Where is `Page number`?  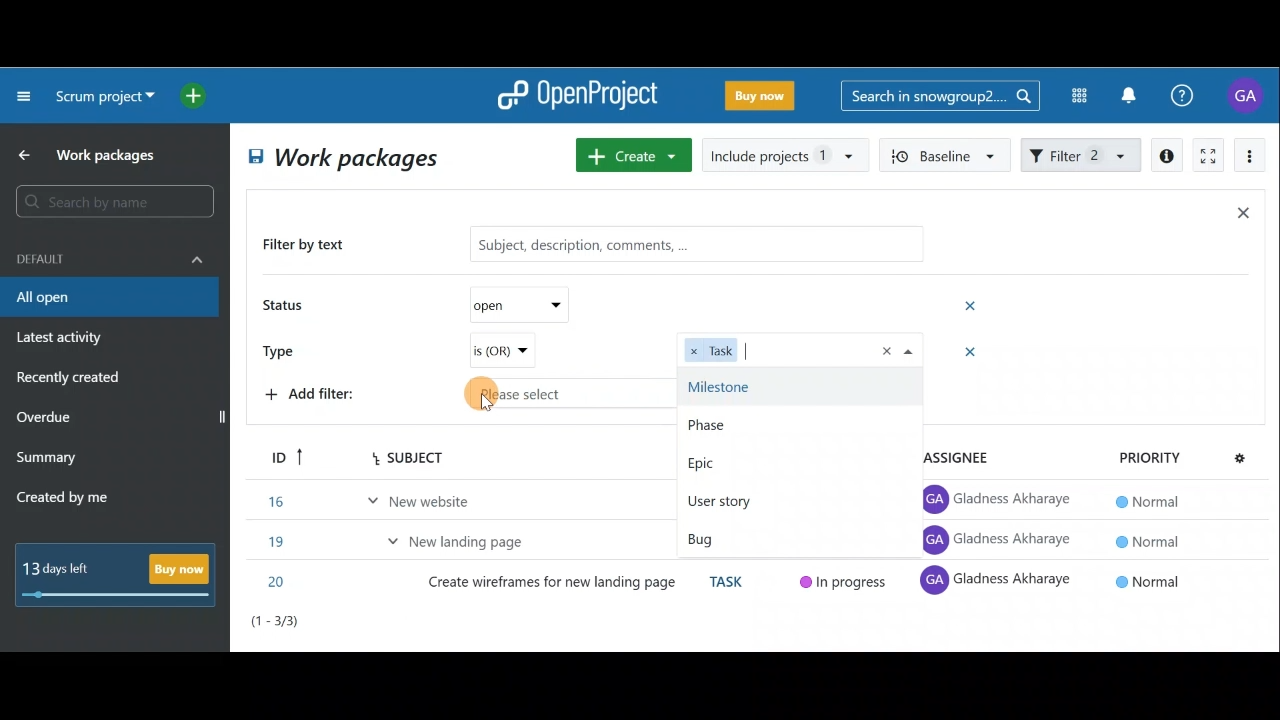
Page number is located at coordinates (360, 626).